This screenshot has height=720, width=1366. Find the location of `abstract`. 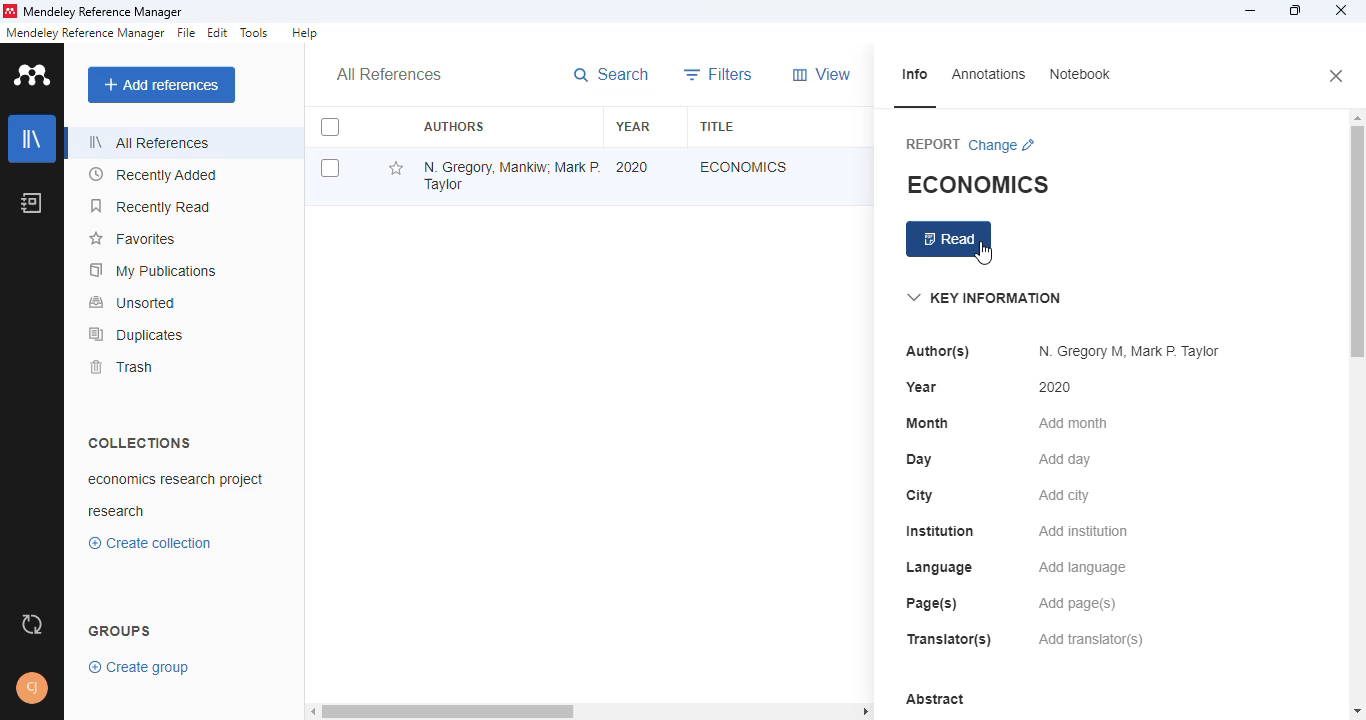

abstract is located at coordinates (935, 699).